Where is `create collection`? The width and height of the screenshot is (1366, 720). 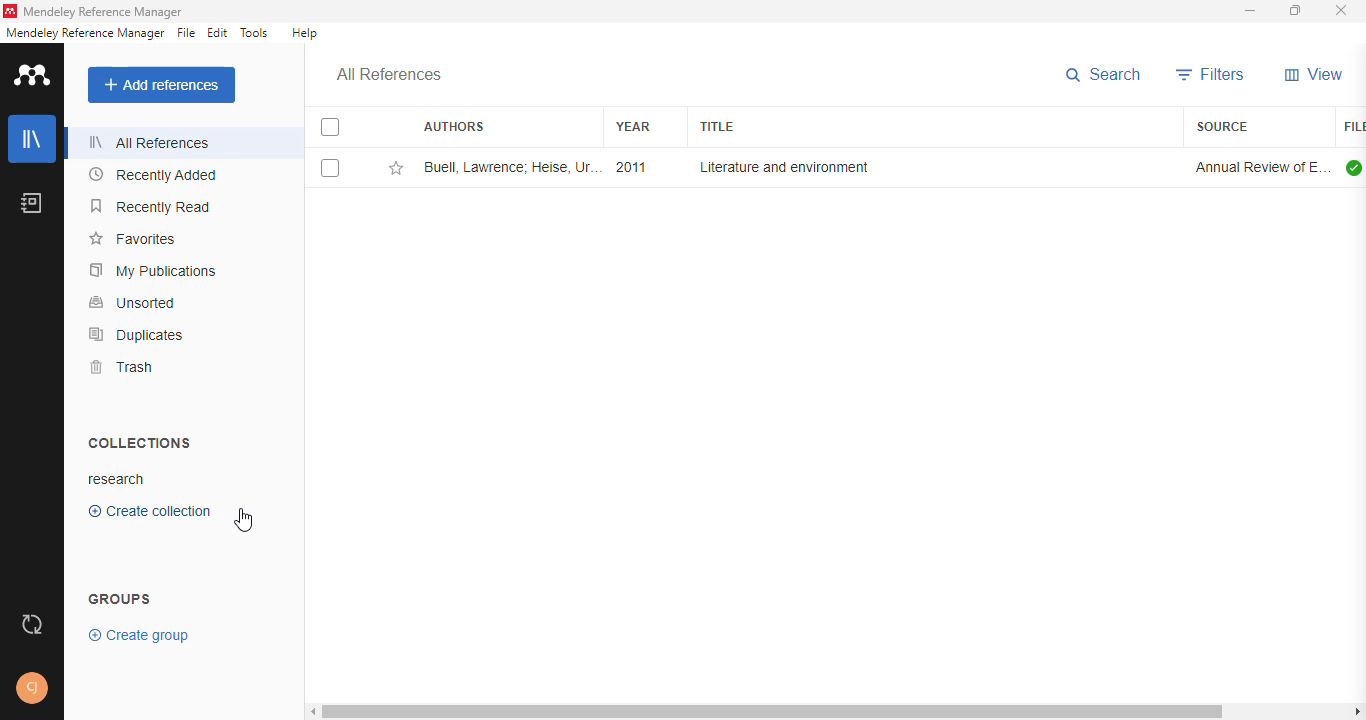
create collection is located at coordinates (150, 510).